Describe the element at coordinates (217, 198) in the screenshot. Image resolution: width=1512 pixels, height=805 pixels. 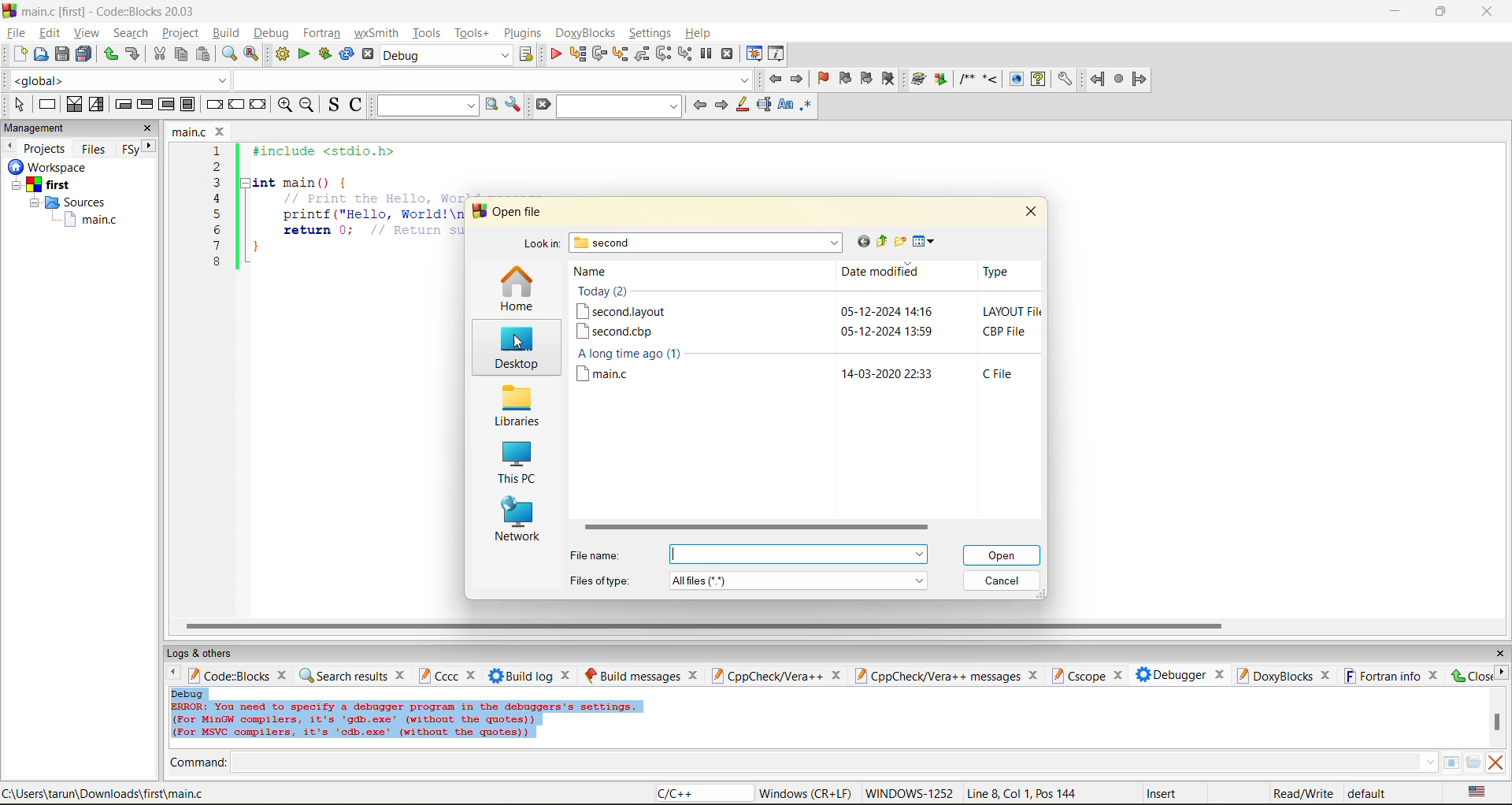
I see `4` at that location.